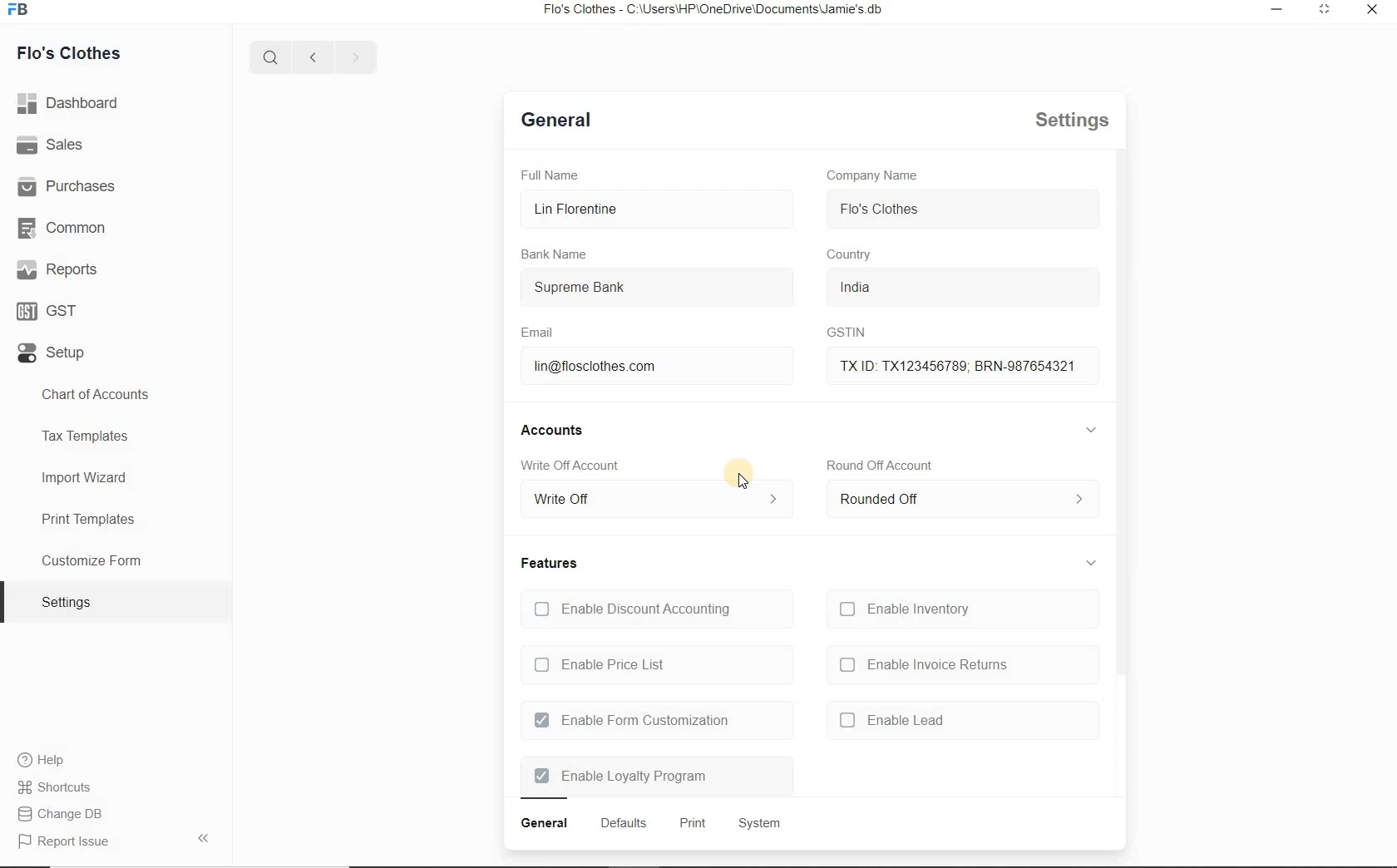  What do you see at coordinates (873, 175) in the screenshot?
I see `Company name` at bounding box center [873, 175].